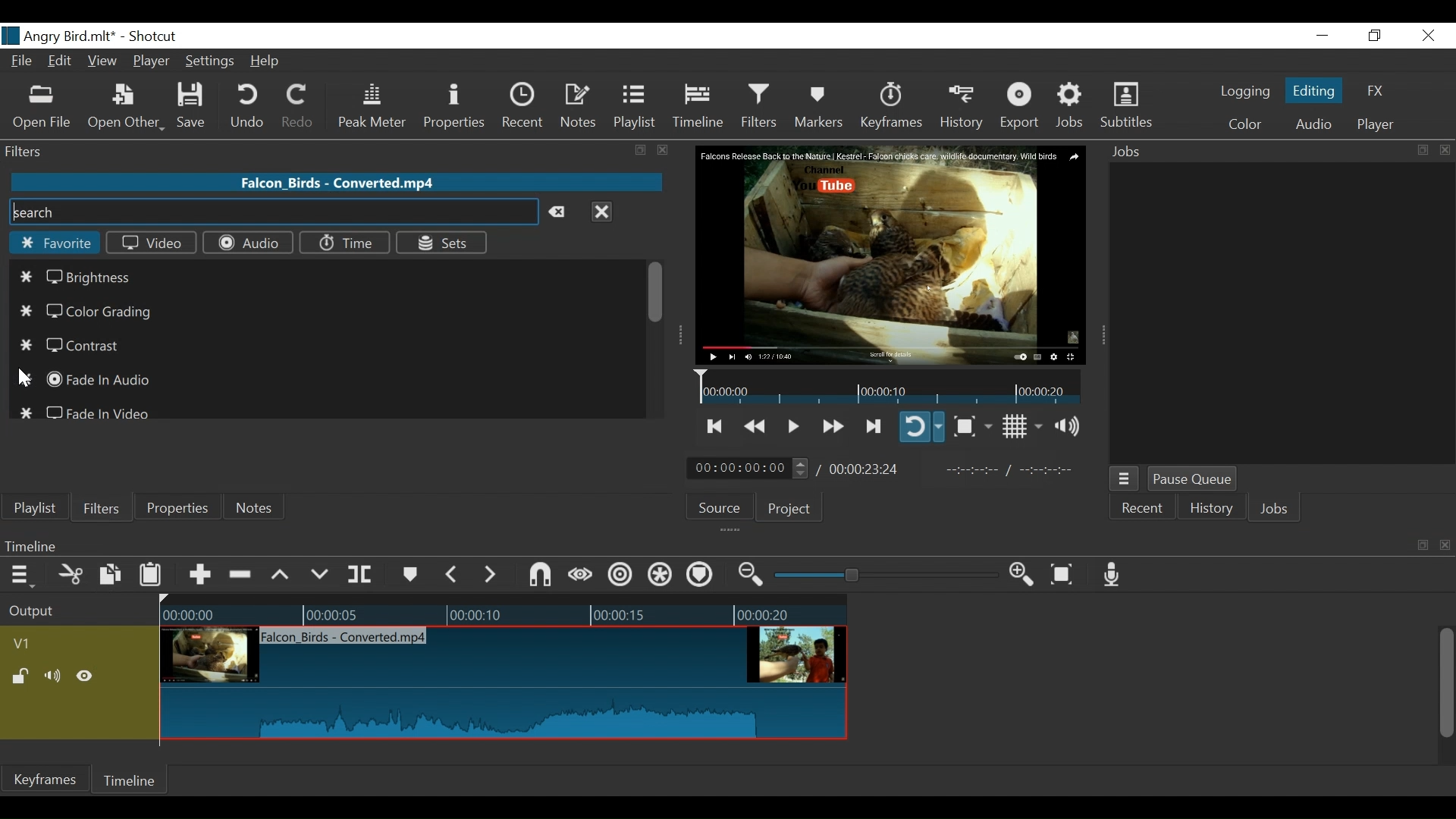 This screenshot has width=1456, height=819. Describe the element at coordinates (199, 577) in the screenshot. I see `Append` at that location.